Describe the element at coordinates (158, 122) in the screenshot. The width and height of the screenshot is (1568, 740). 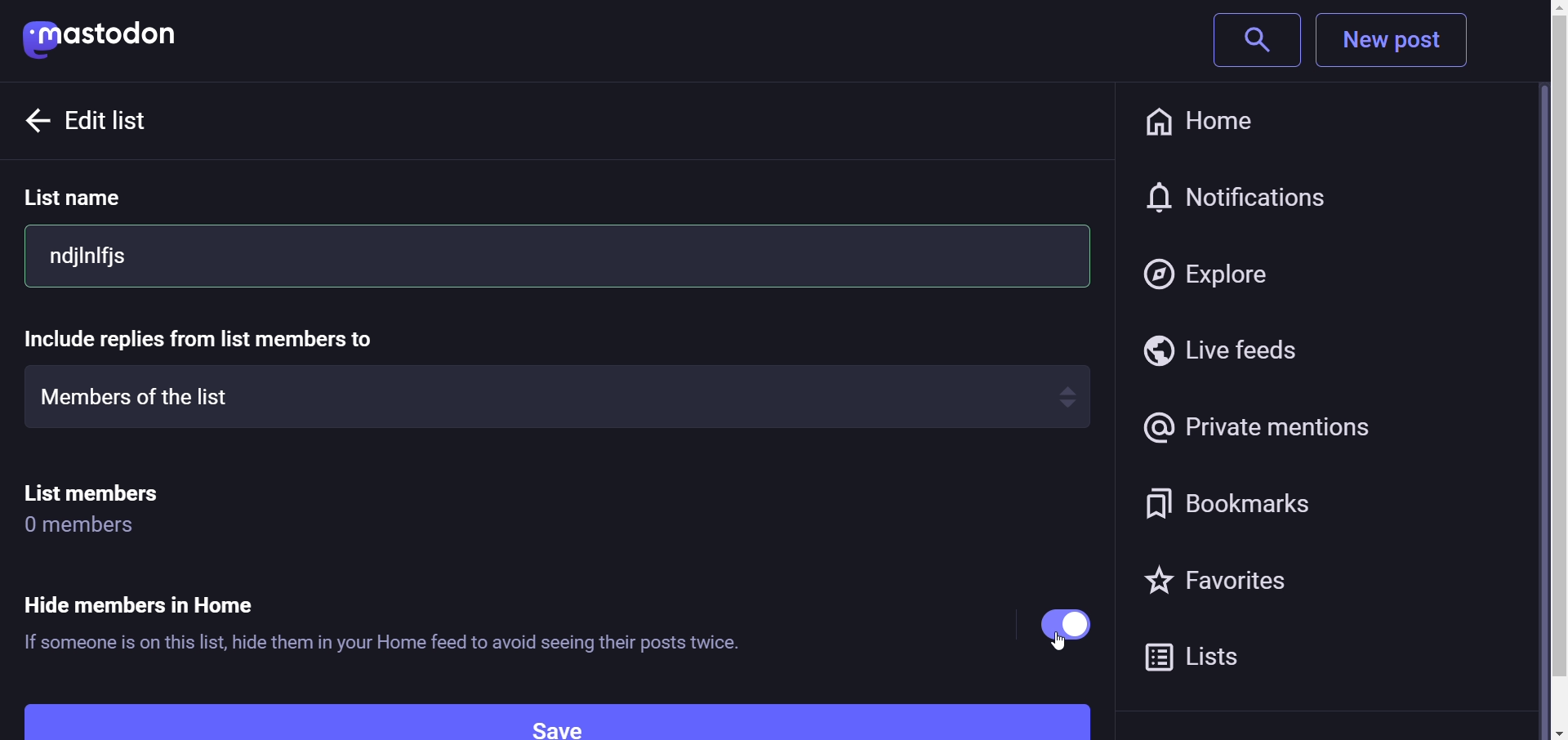
I see `edit list` at that location.